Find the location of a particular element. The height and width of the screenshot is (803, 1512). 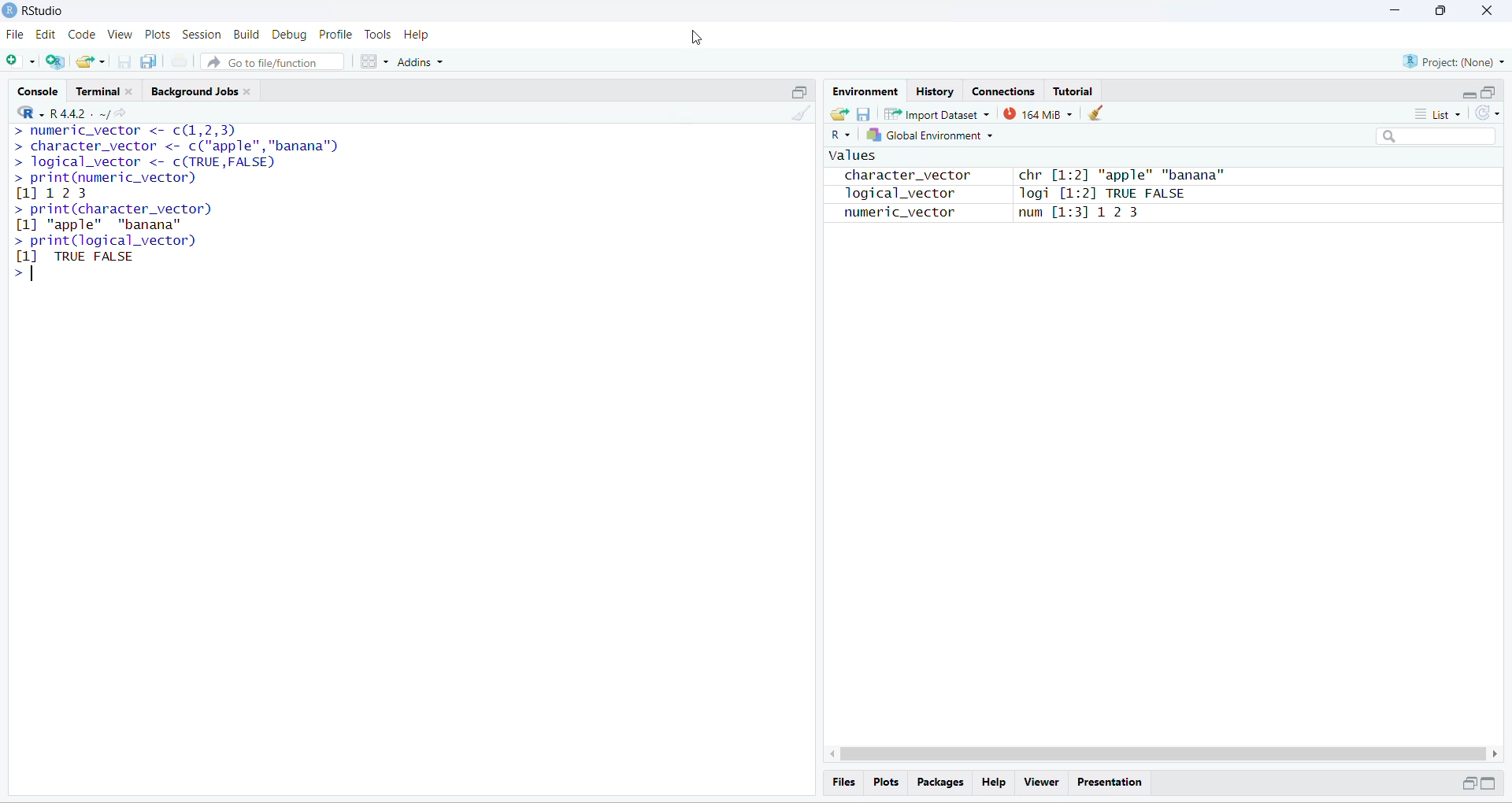

logical_vector is located at coordinates (892, 194).